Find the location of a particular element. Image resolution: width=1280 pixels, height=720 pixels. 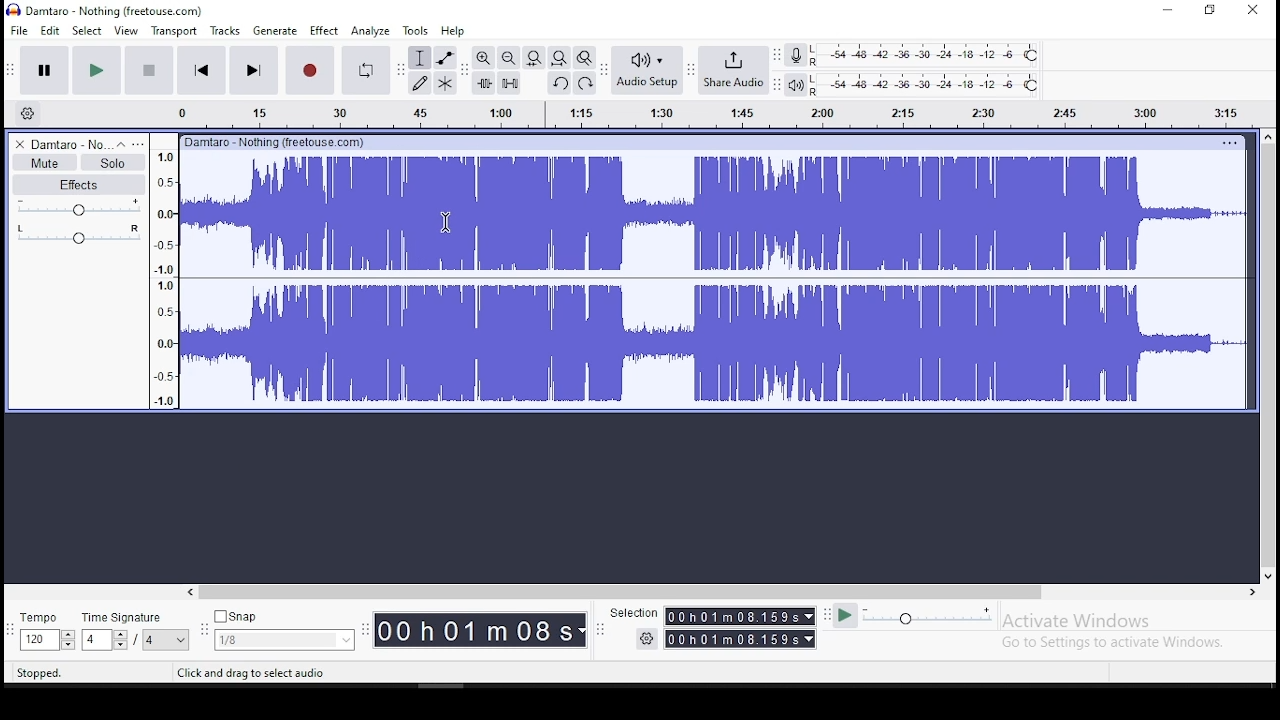

Go to Settings to activate Windows. is located at coordinates (1114, 644).